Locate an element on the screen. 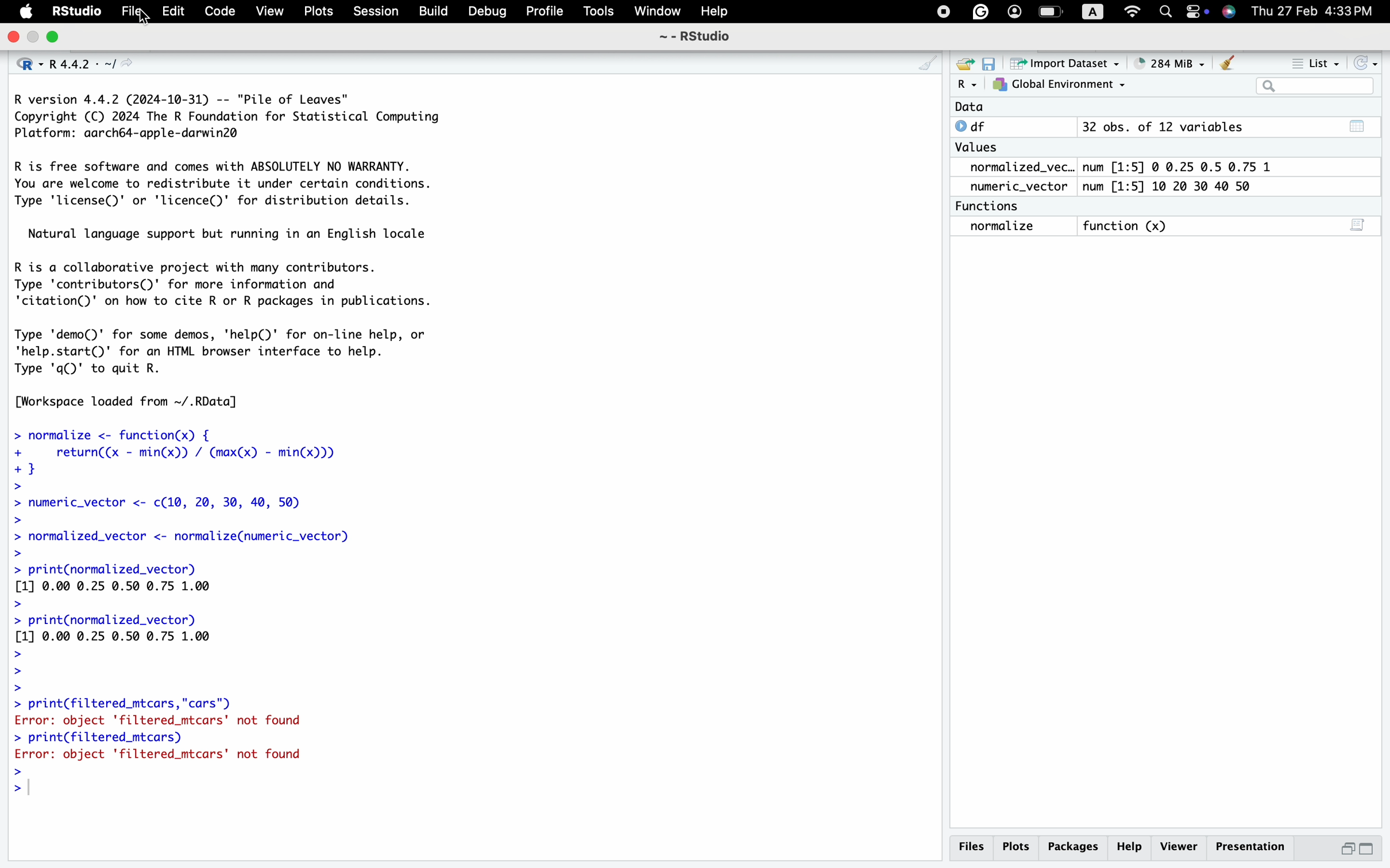  search bar is located at coordinates (1311, 85).